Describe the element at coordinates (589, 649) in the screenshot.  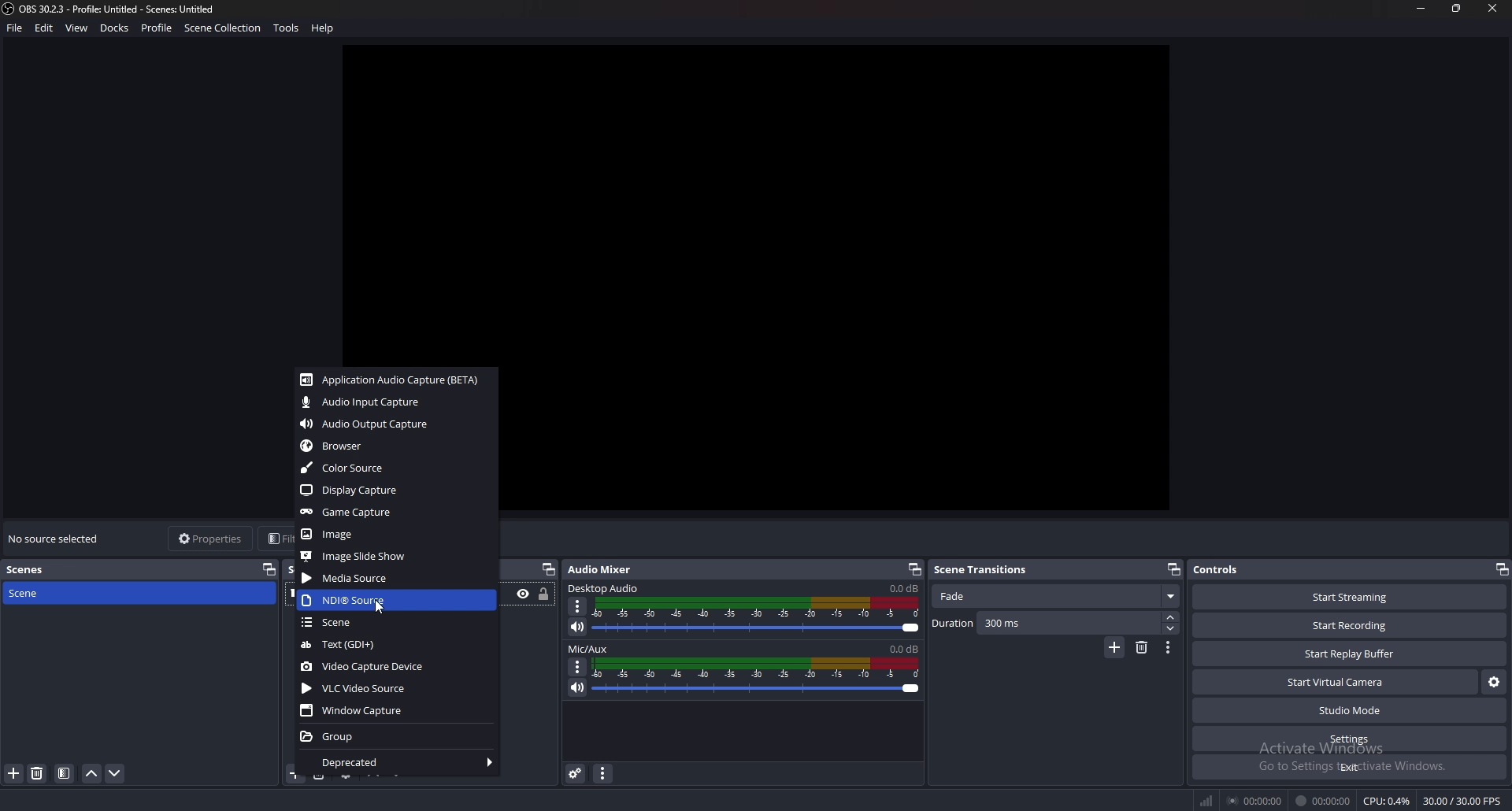
I see `mic/aux` at that location.